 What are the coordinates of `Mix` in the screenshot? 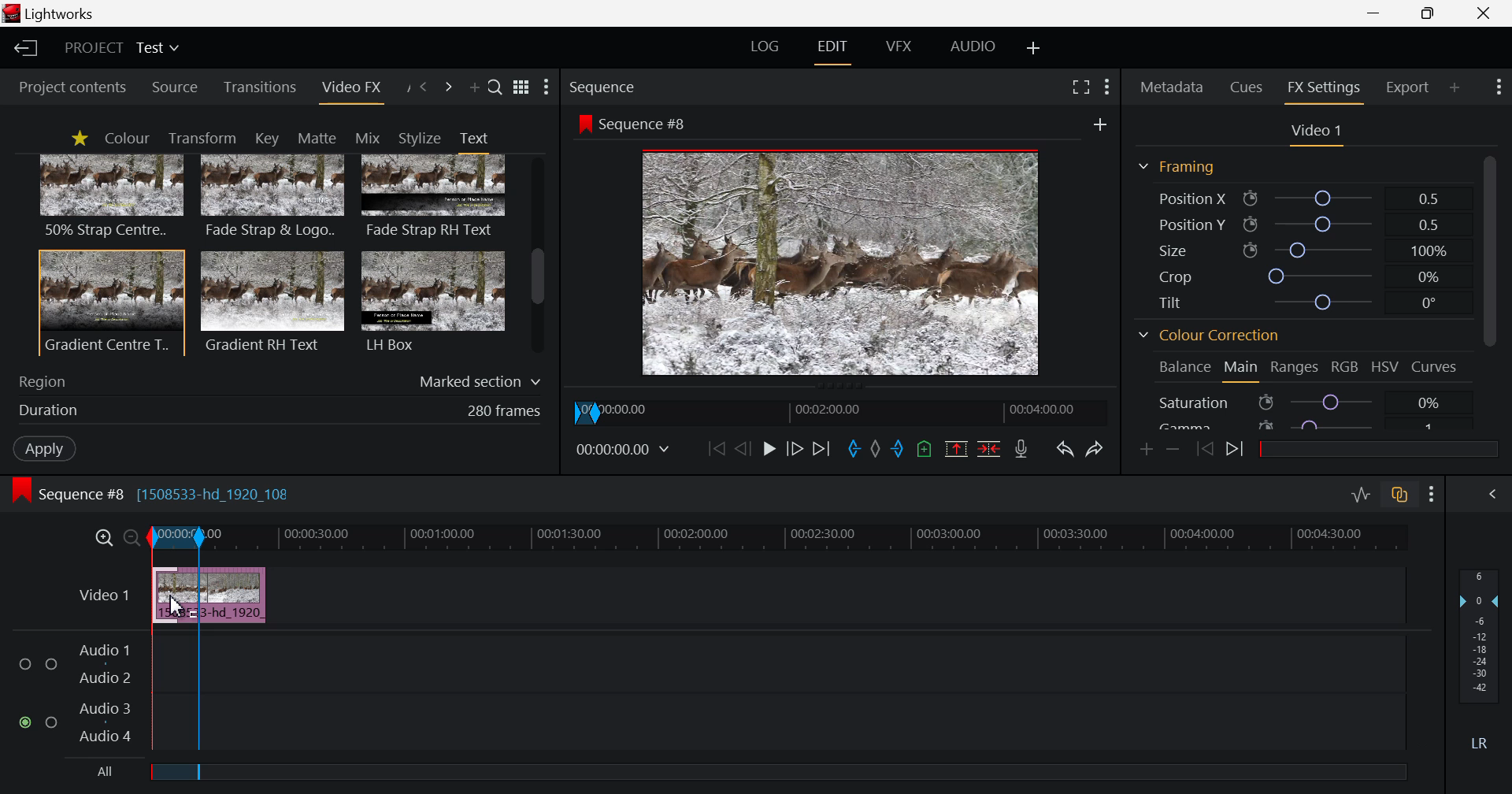 It's located at (372, 137).